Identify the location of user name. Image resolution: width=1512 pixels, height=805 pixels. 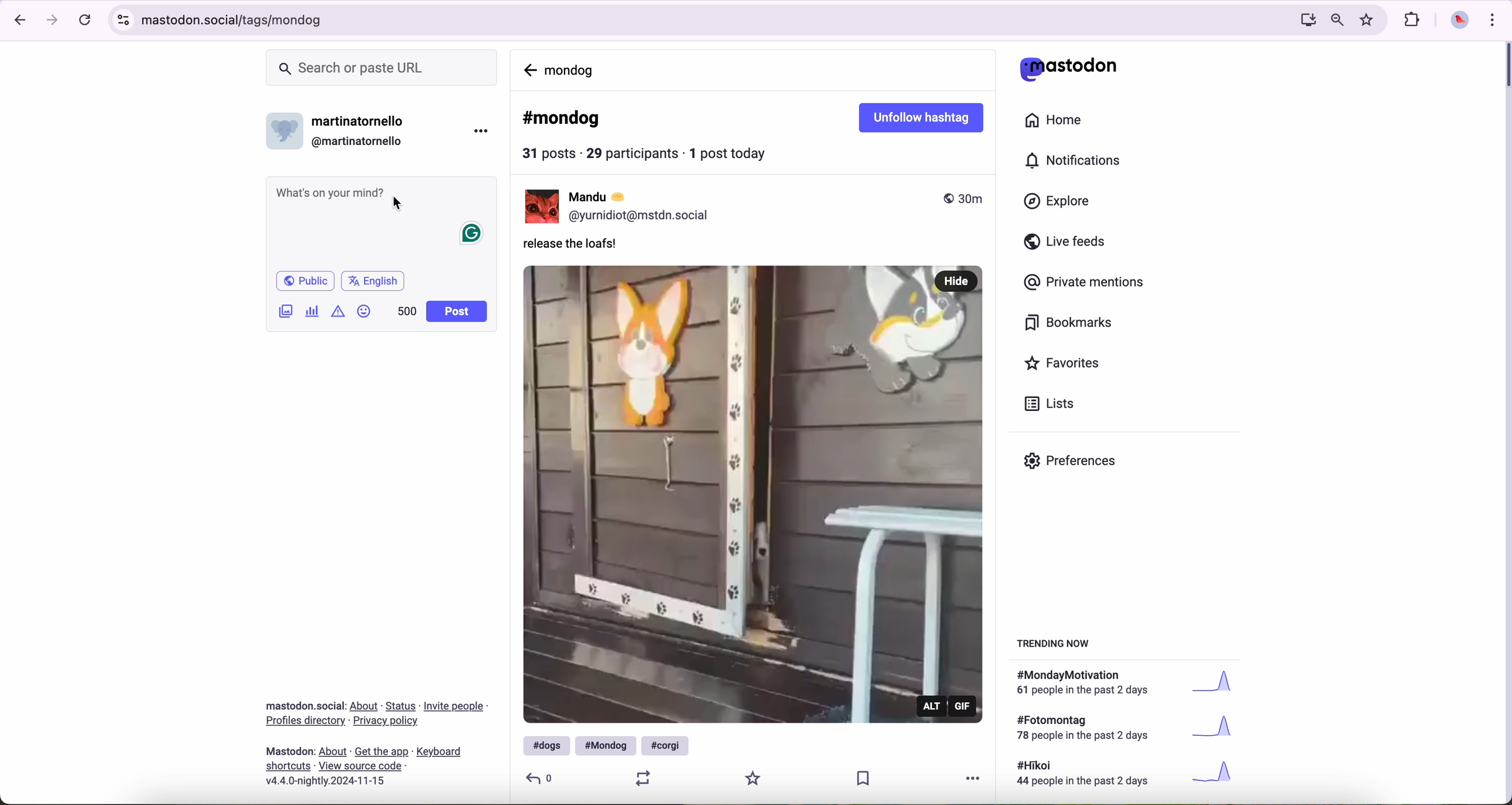
(362, 122).